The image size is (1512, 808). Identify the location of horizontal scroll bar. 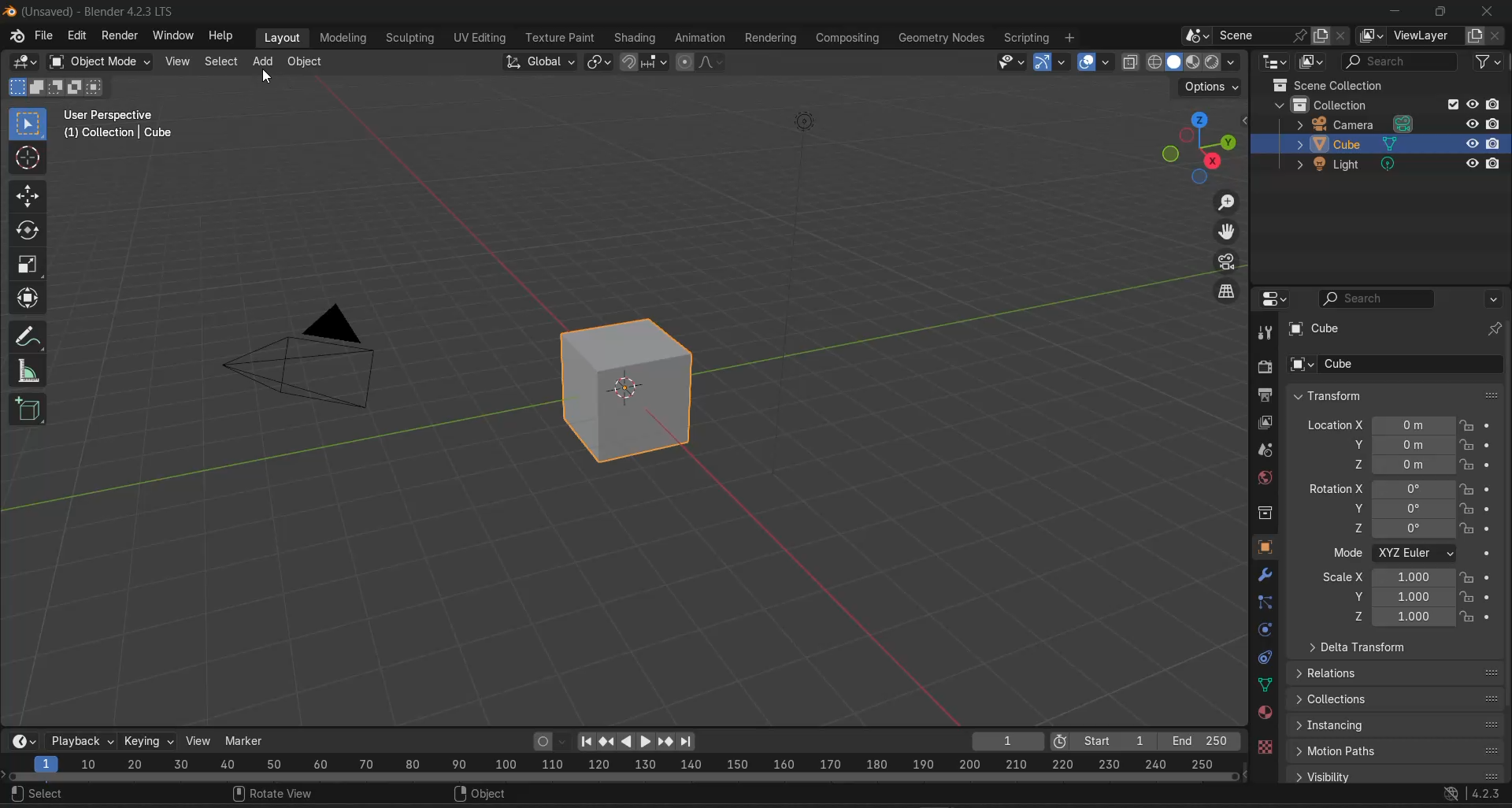
(623, 776).